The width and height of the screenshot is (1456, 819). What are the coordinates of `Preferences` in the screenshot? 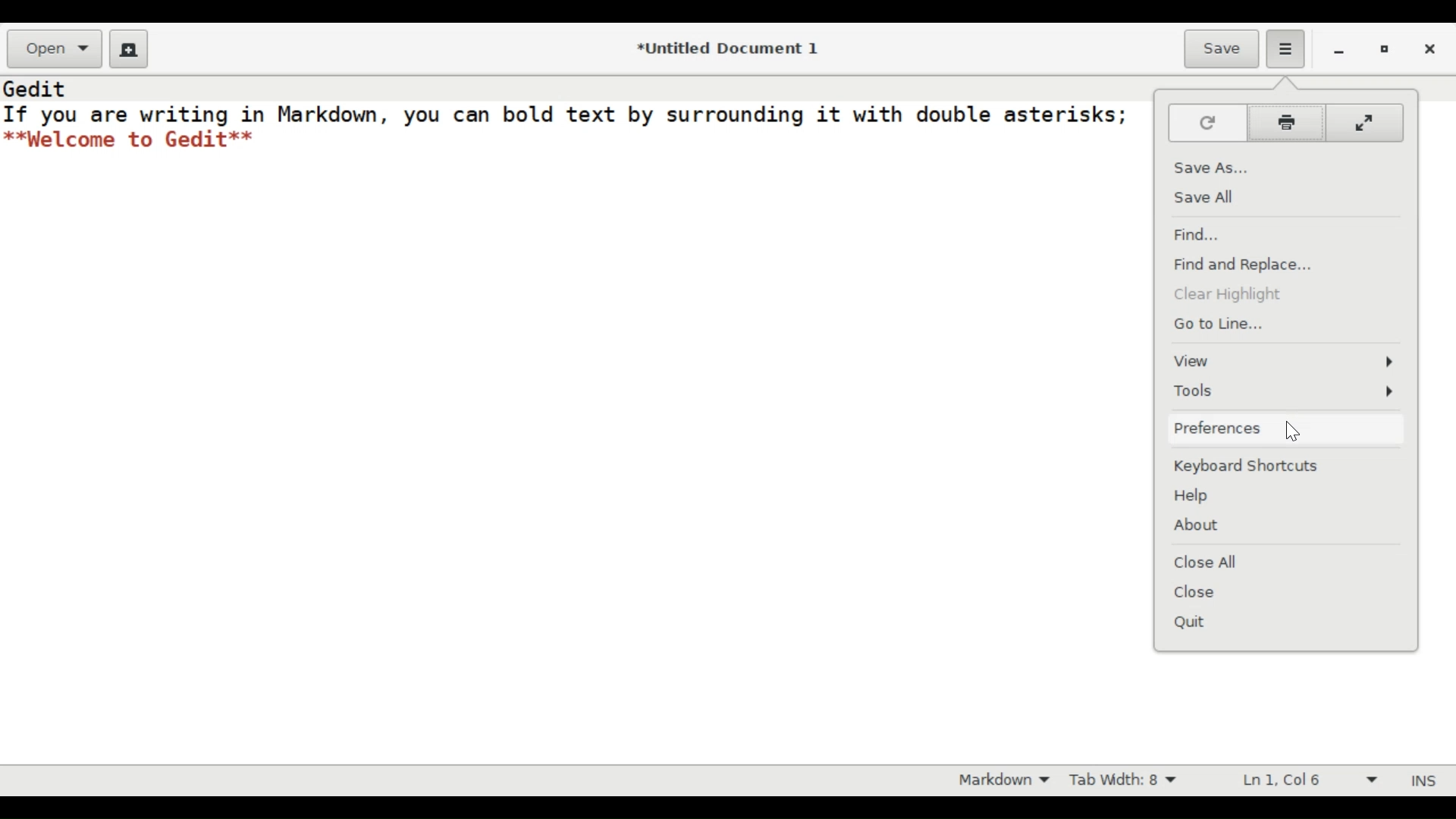 It's located at (1217, 428).